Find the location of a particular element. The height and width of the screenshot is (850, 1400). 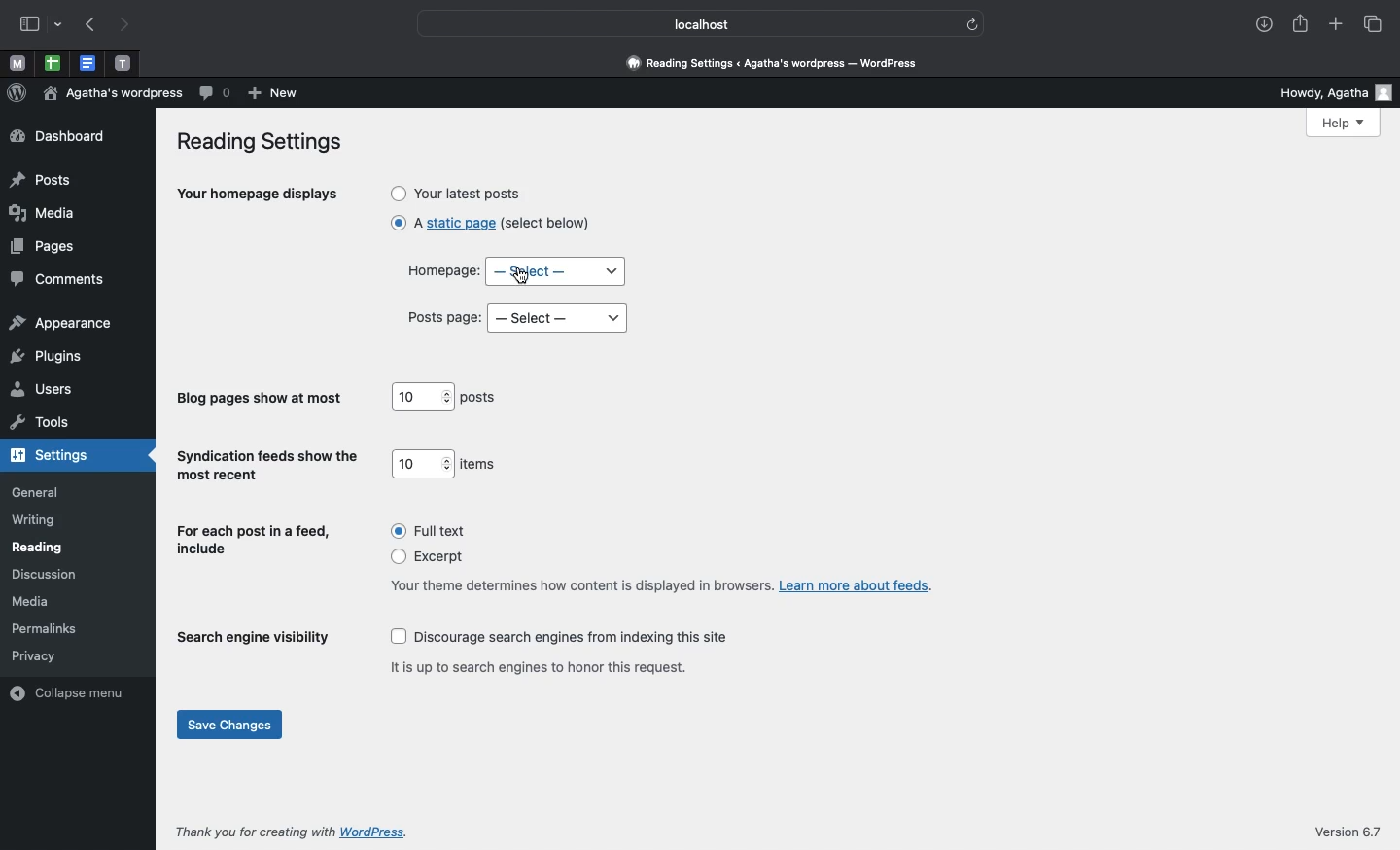

10 is located at coordinates (423, 463).